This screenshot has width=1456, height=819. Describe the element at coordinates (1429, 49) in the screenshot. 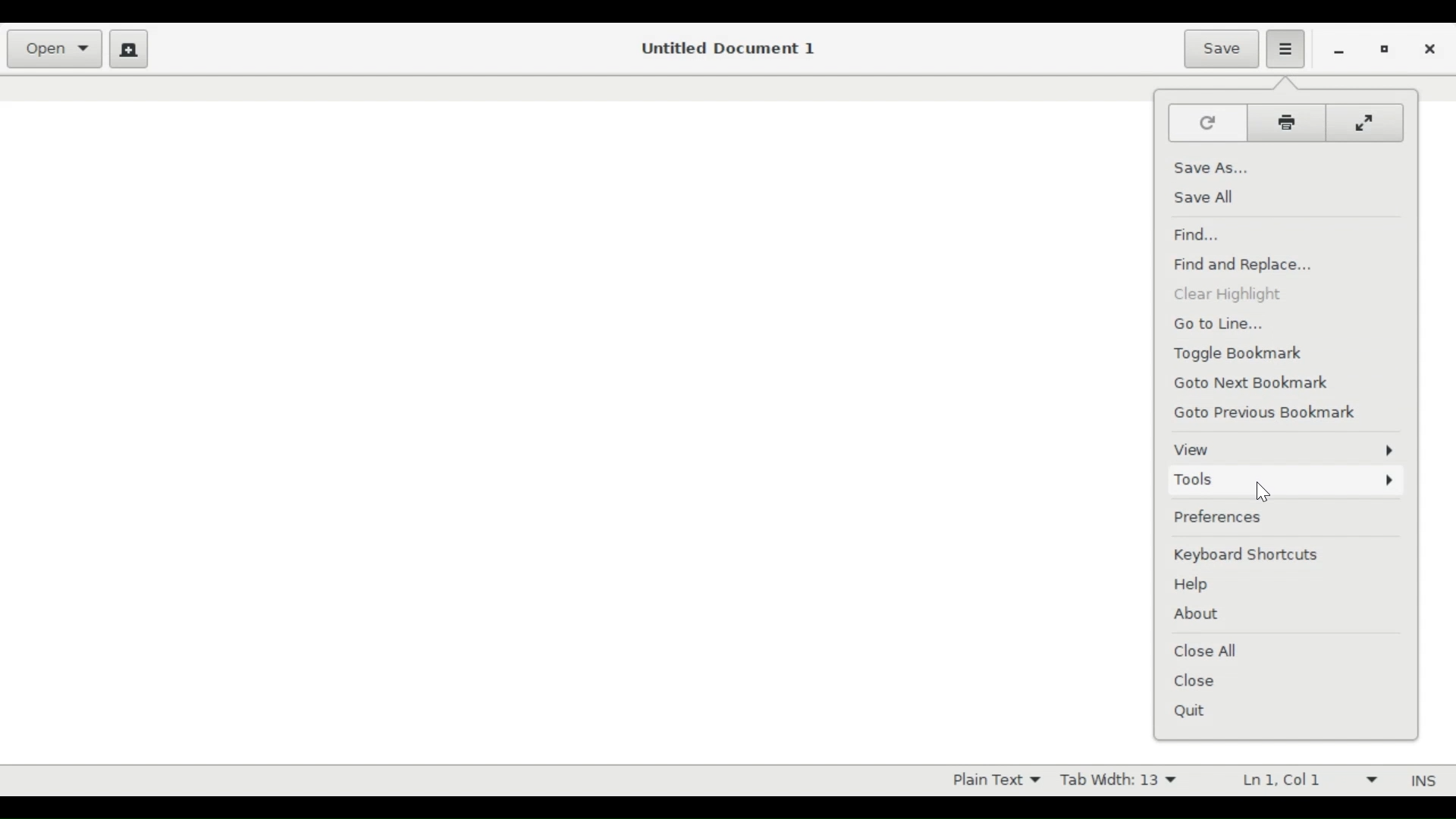

I see `close` at that location.